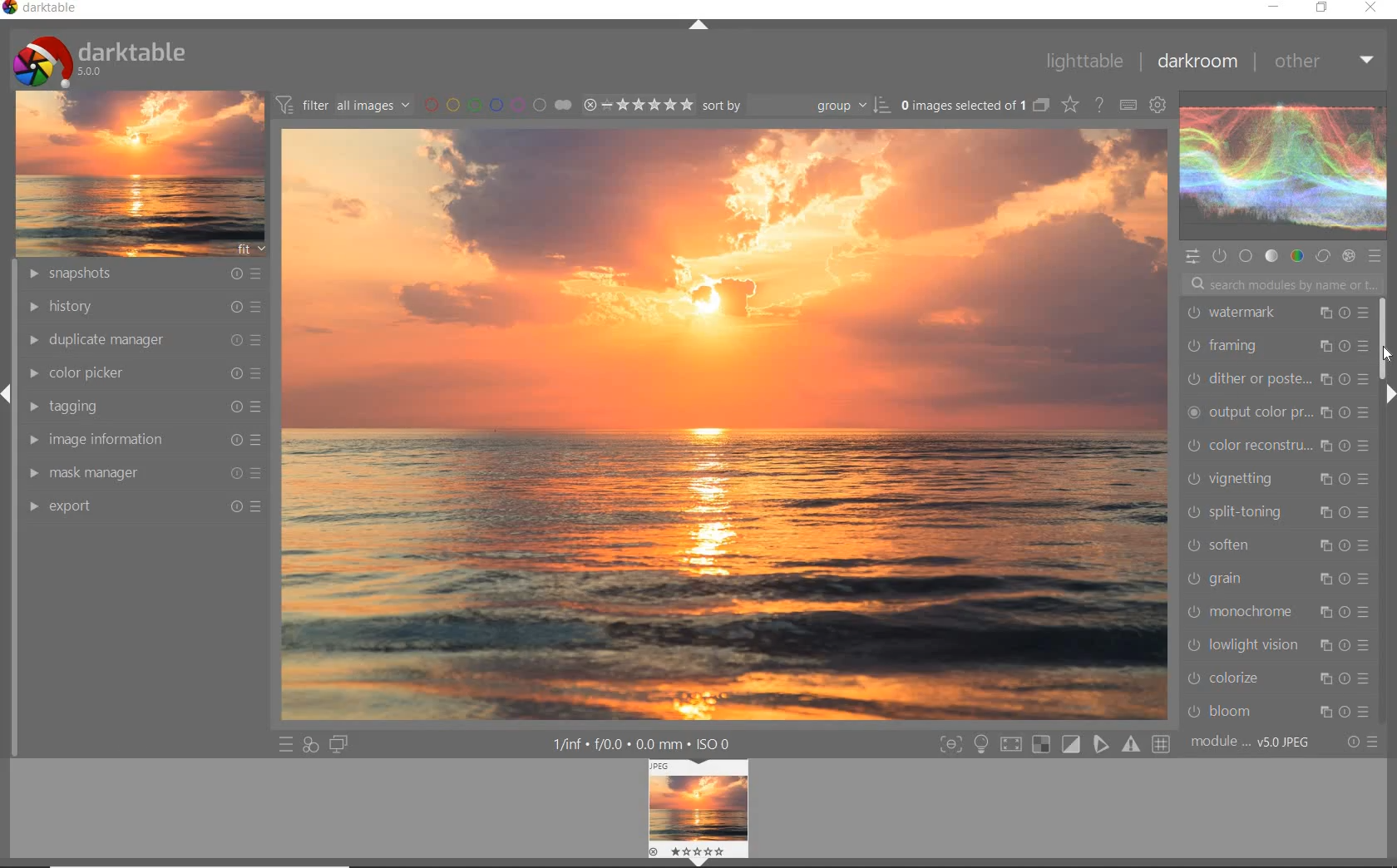 The image size is (1397, 868). What do you see at coordinates (795, 106) in the screenshot?
I see `SORT` at bounding box center [795, 106].